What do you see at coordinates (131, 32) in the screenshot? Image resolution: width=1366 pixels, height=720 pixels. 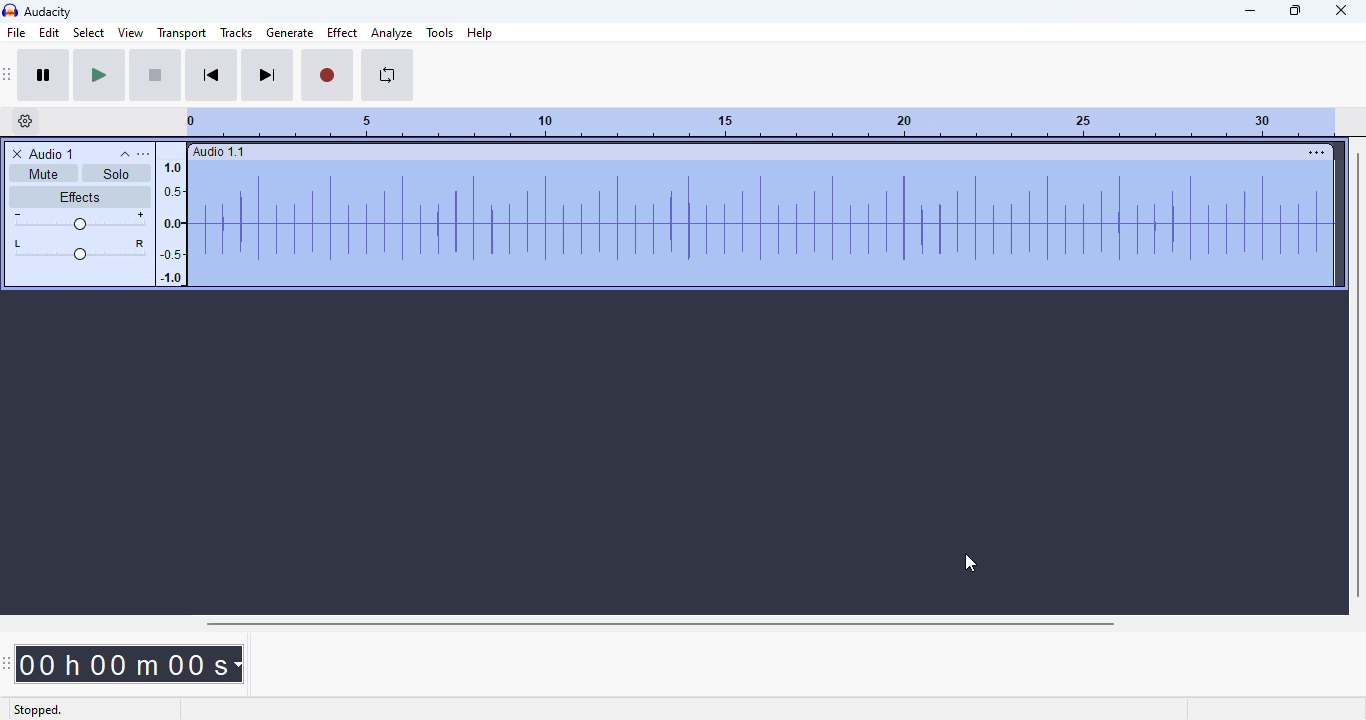 I see `view` at bounding box center [131, 32].